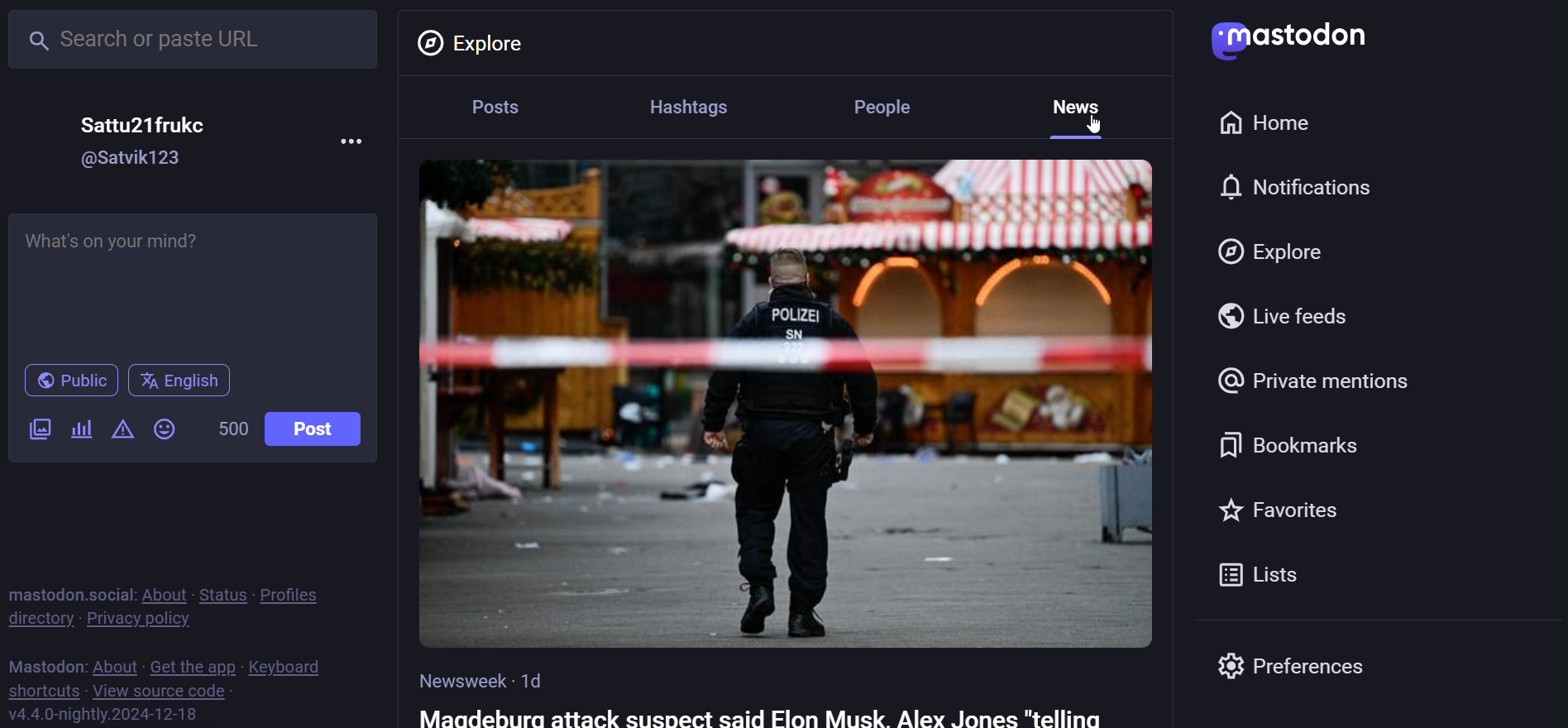  What do you see at coordinates (784, 402) in the screenshot?
I see `image` at bounding box center [784, 402].